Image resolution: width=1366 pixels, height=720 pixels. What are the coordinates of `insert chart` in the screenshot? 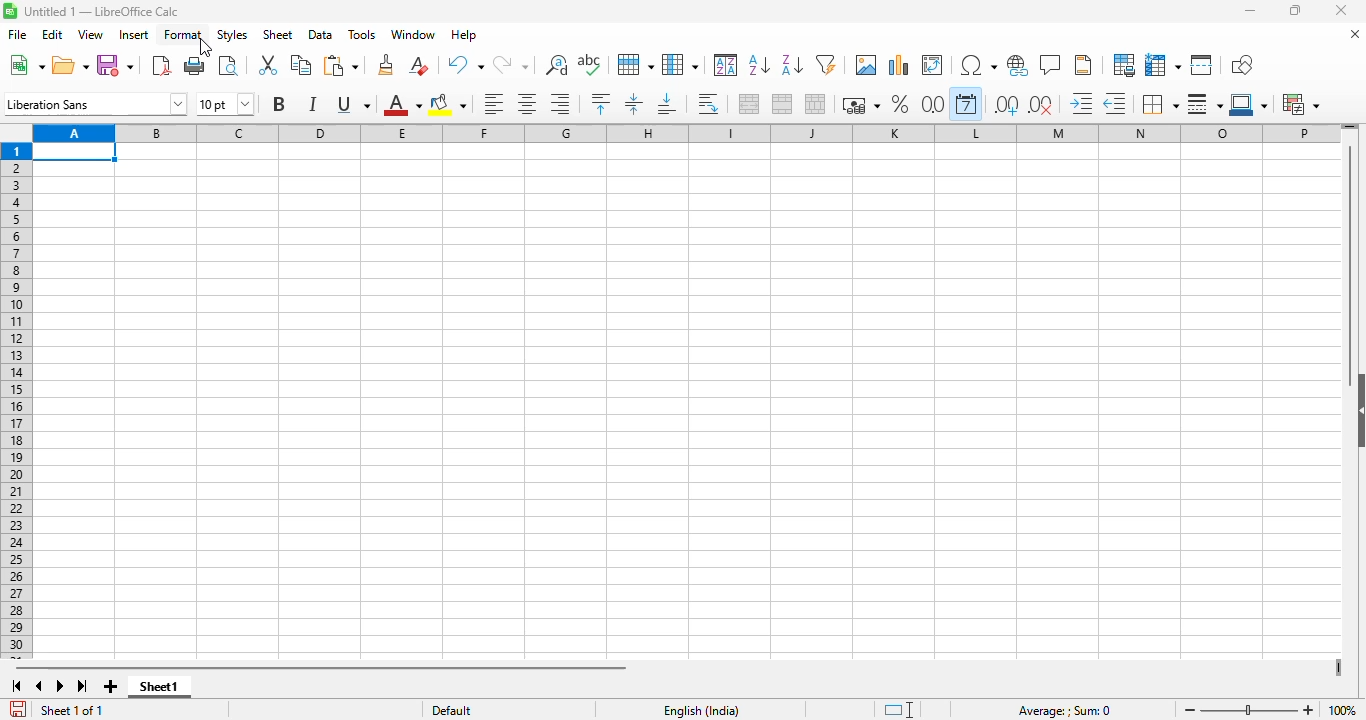 It's located at (898, 65).